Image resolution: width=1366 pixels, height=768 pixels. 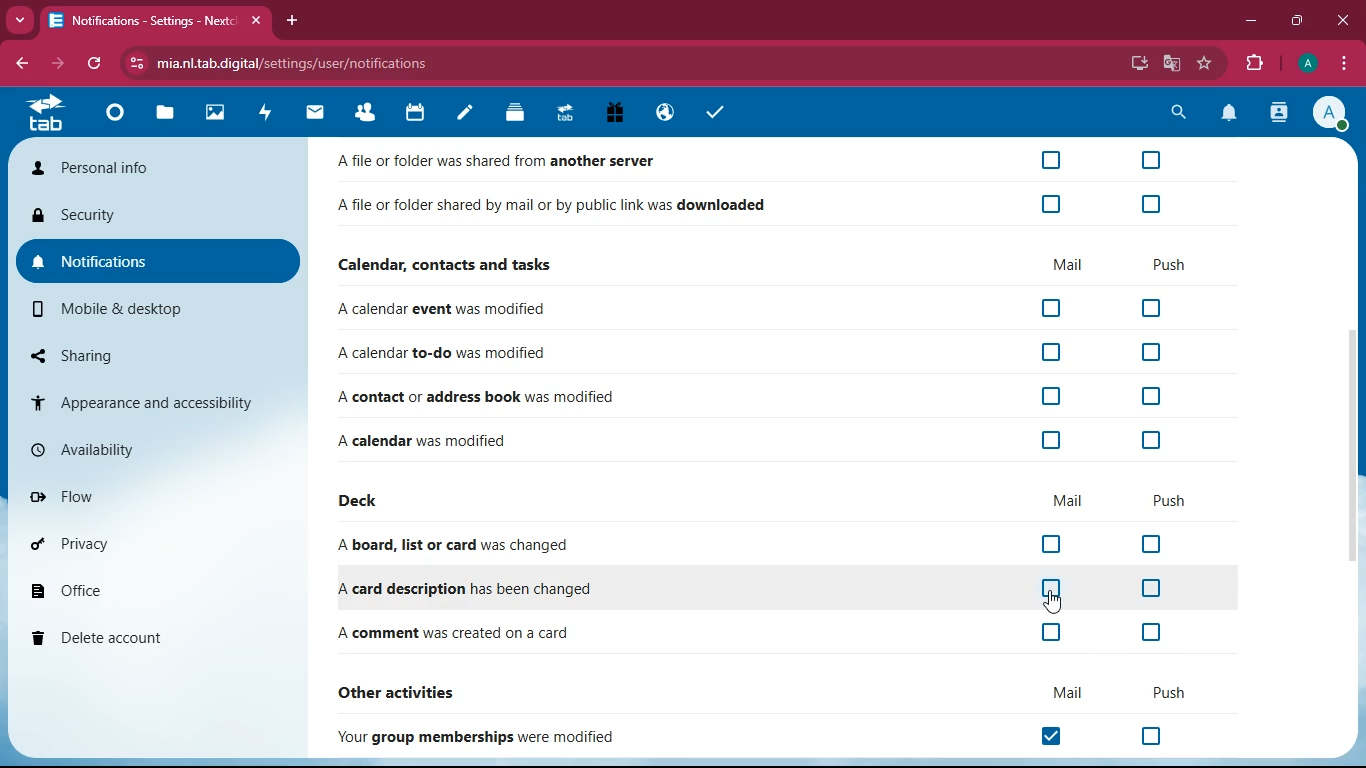 I want to click on View site informatin, so click(x=133, y=64).